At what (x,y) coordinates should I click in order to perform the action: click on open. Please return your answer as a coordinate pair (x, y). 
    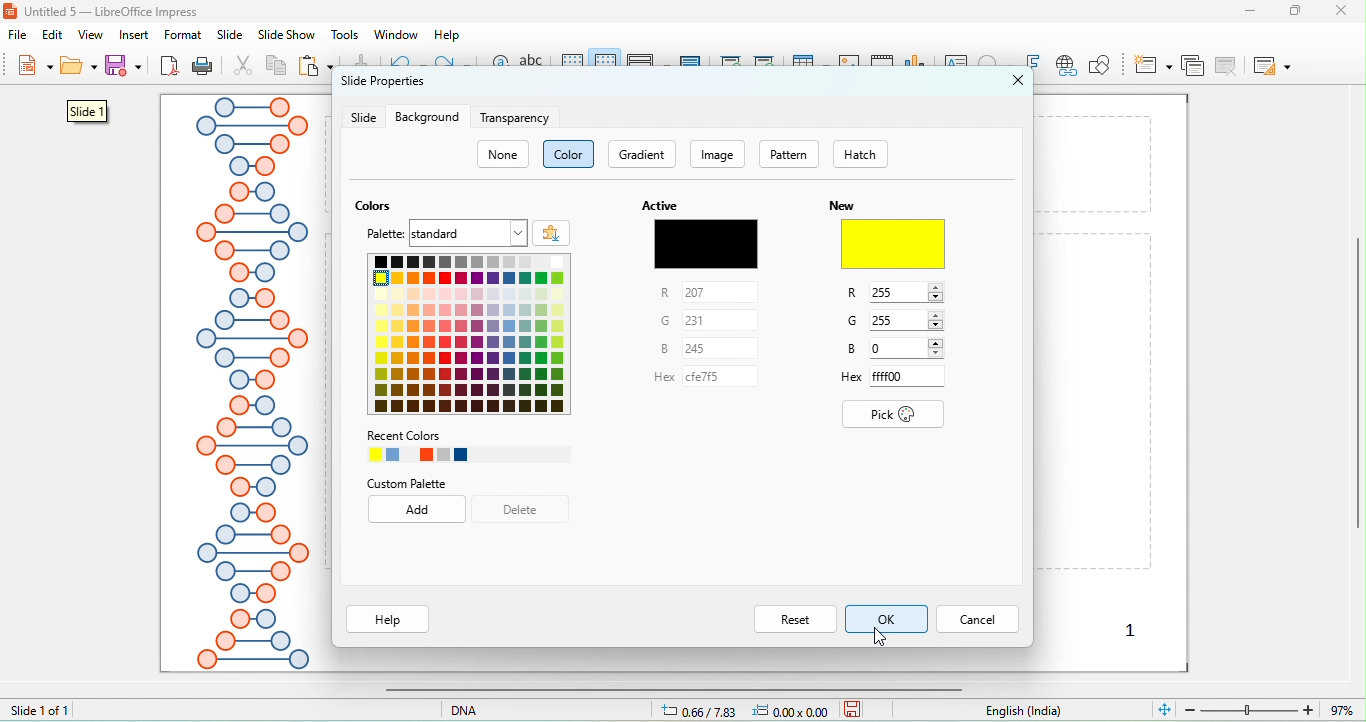
    Looking at the image, I should click on (79, 69).